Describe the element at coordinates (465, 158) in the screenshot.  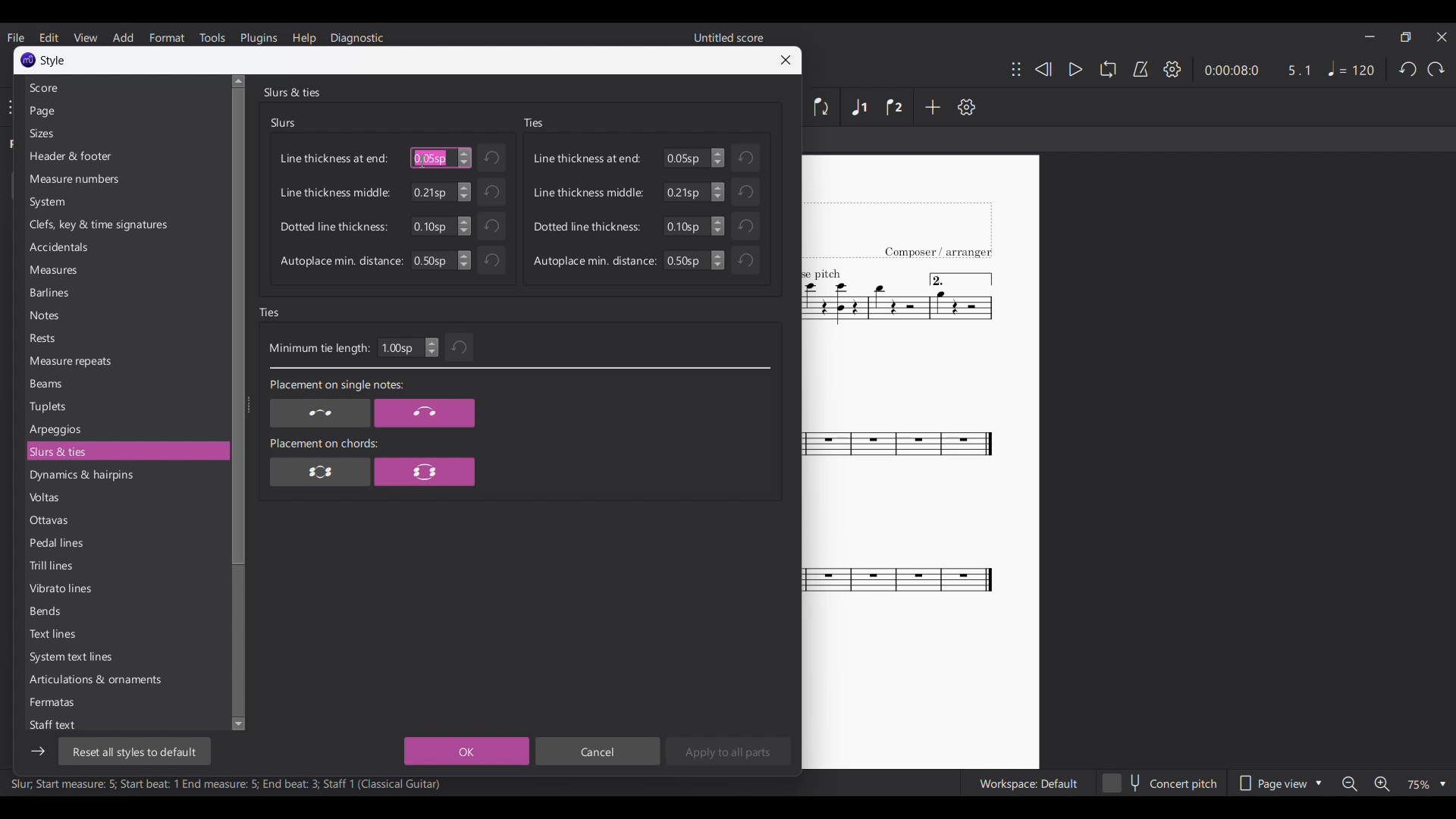
I see `Increase/Decrease line thickness at end` at that location.